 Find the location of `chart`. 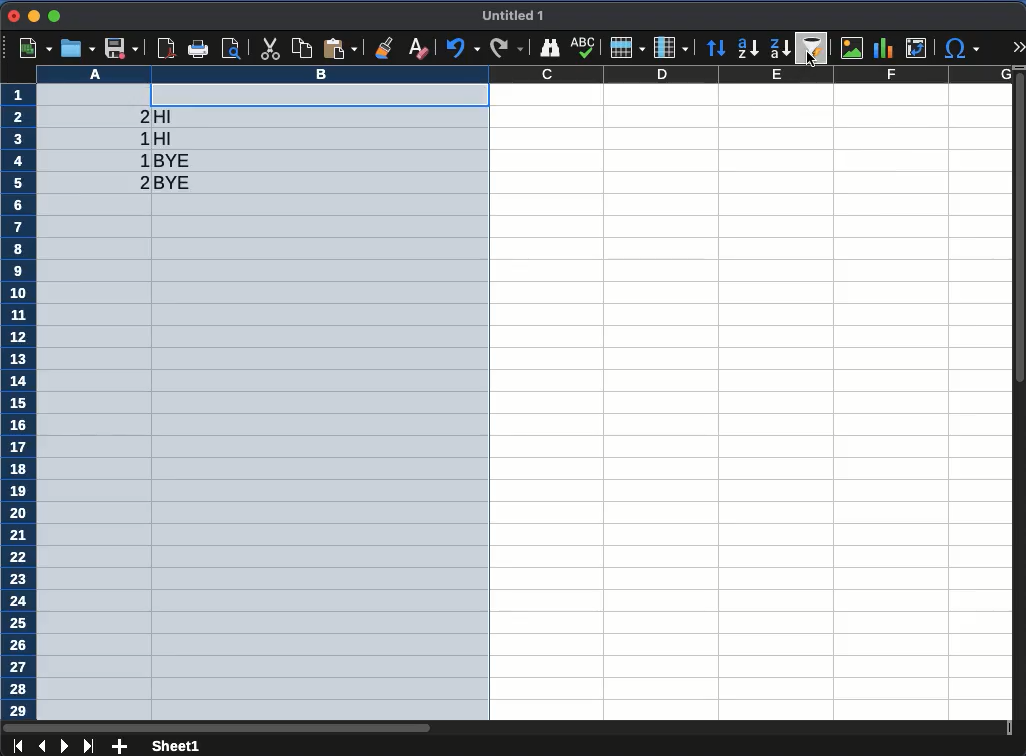

chart is located at coordinates (881, 49).